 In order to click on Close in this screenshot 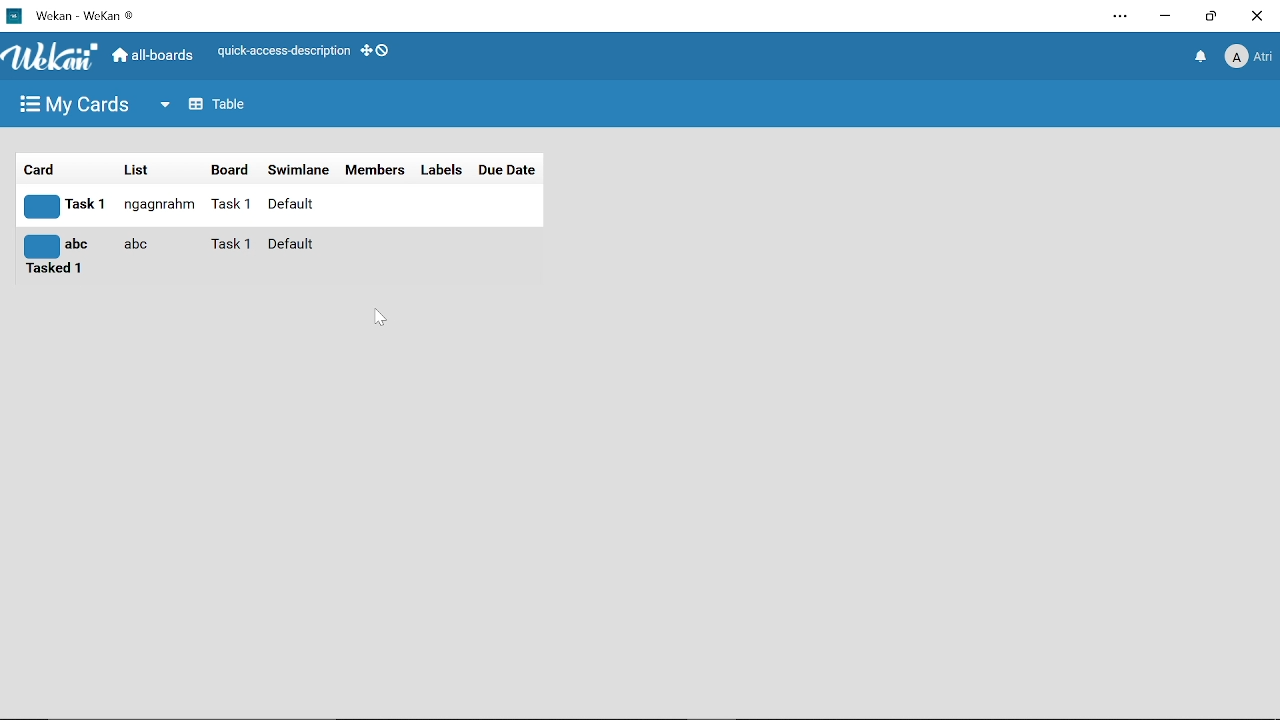, I will do `click(1258, 16)`.